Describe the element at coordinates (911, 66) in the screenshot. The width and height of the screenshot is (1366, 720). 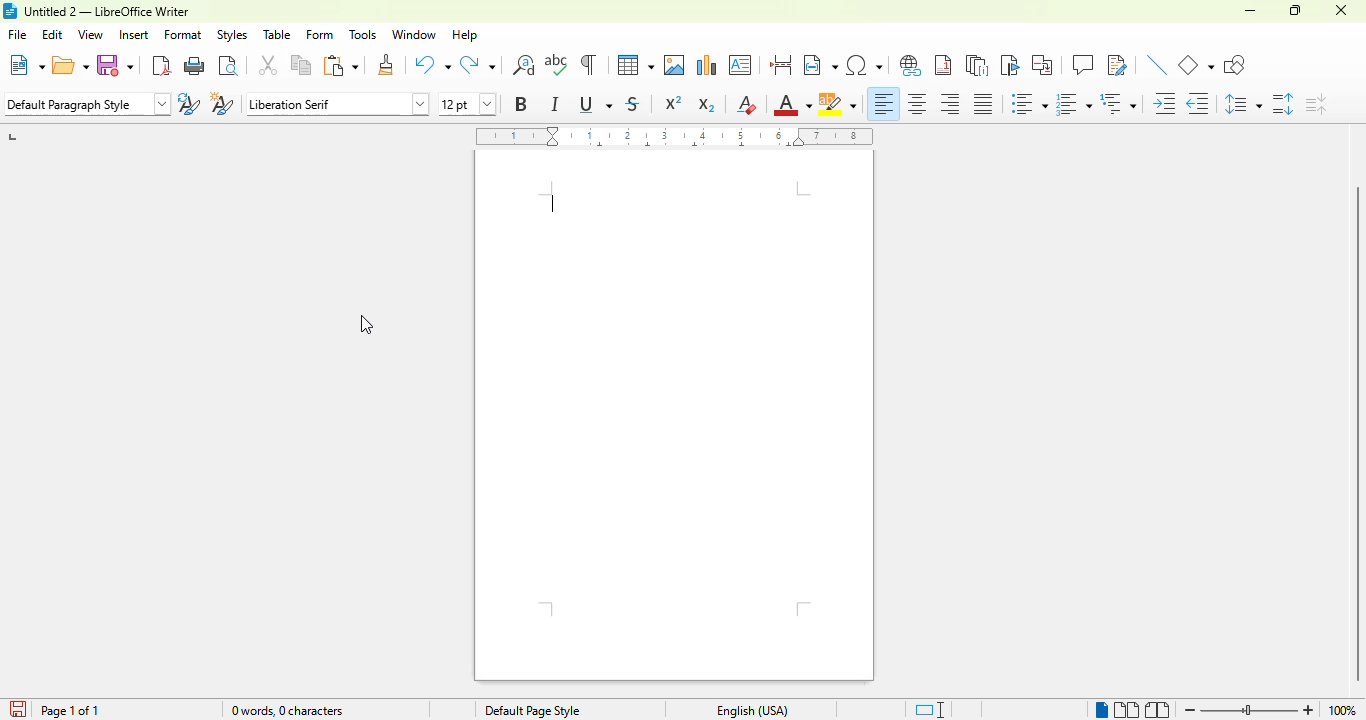
I see `insert hyperlink` at that location.